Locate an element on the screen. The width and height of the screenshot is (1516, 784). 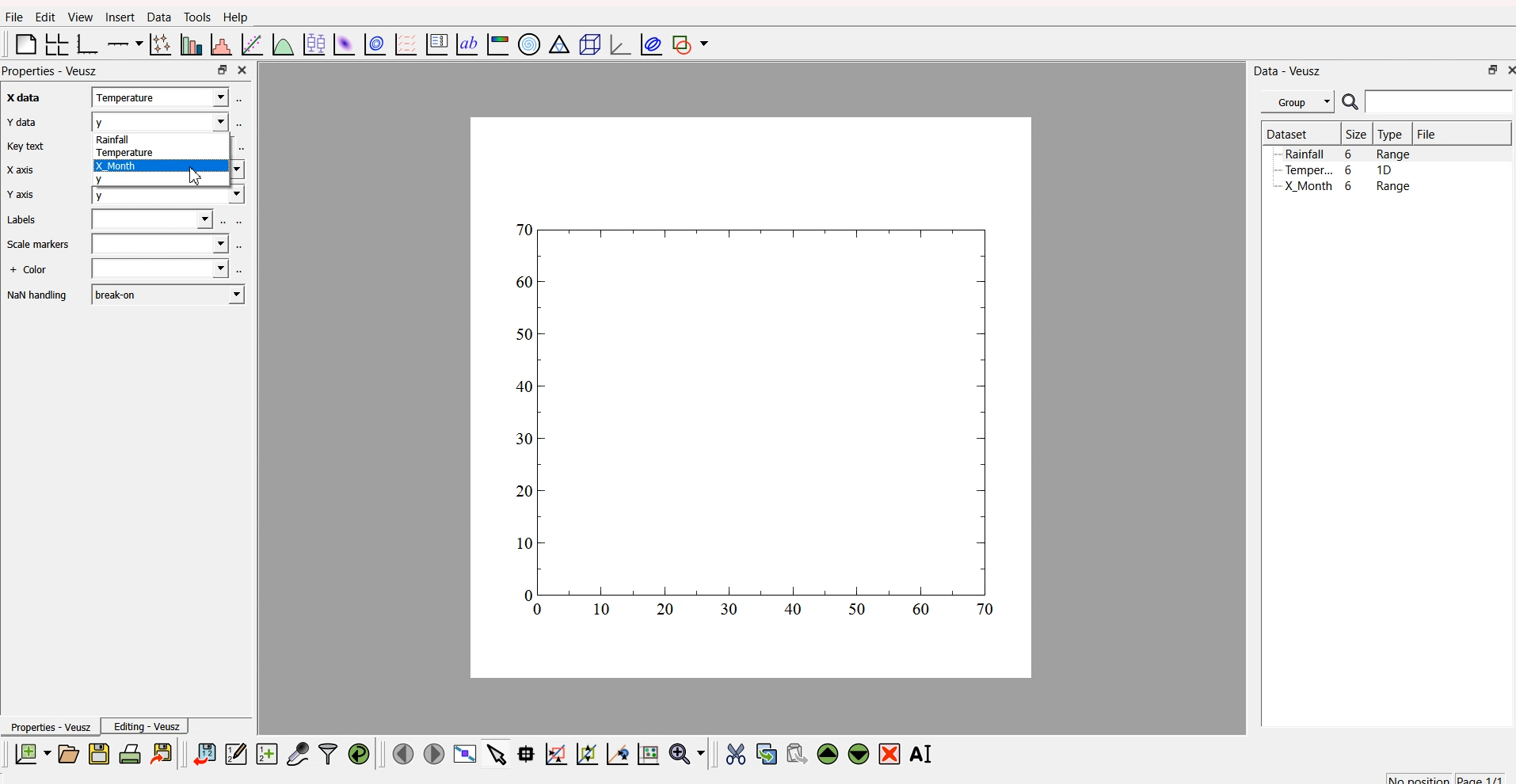
polar graph is located at coordinates (531, 42).